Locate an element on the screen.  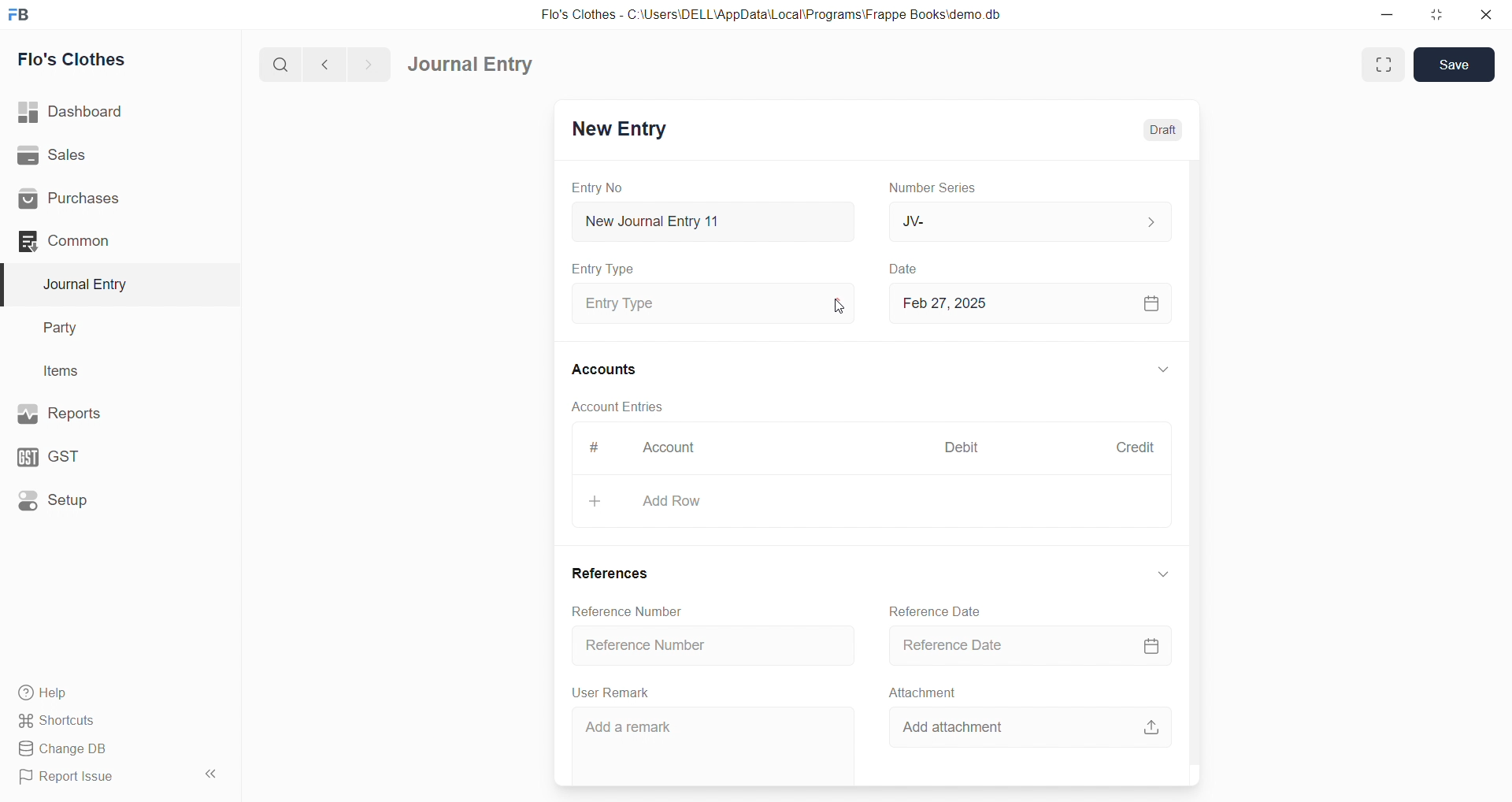
Journal Entry is located at coordinates (471, 64).